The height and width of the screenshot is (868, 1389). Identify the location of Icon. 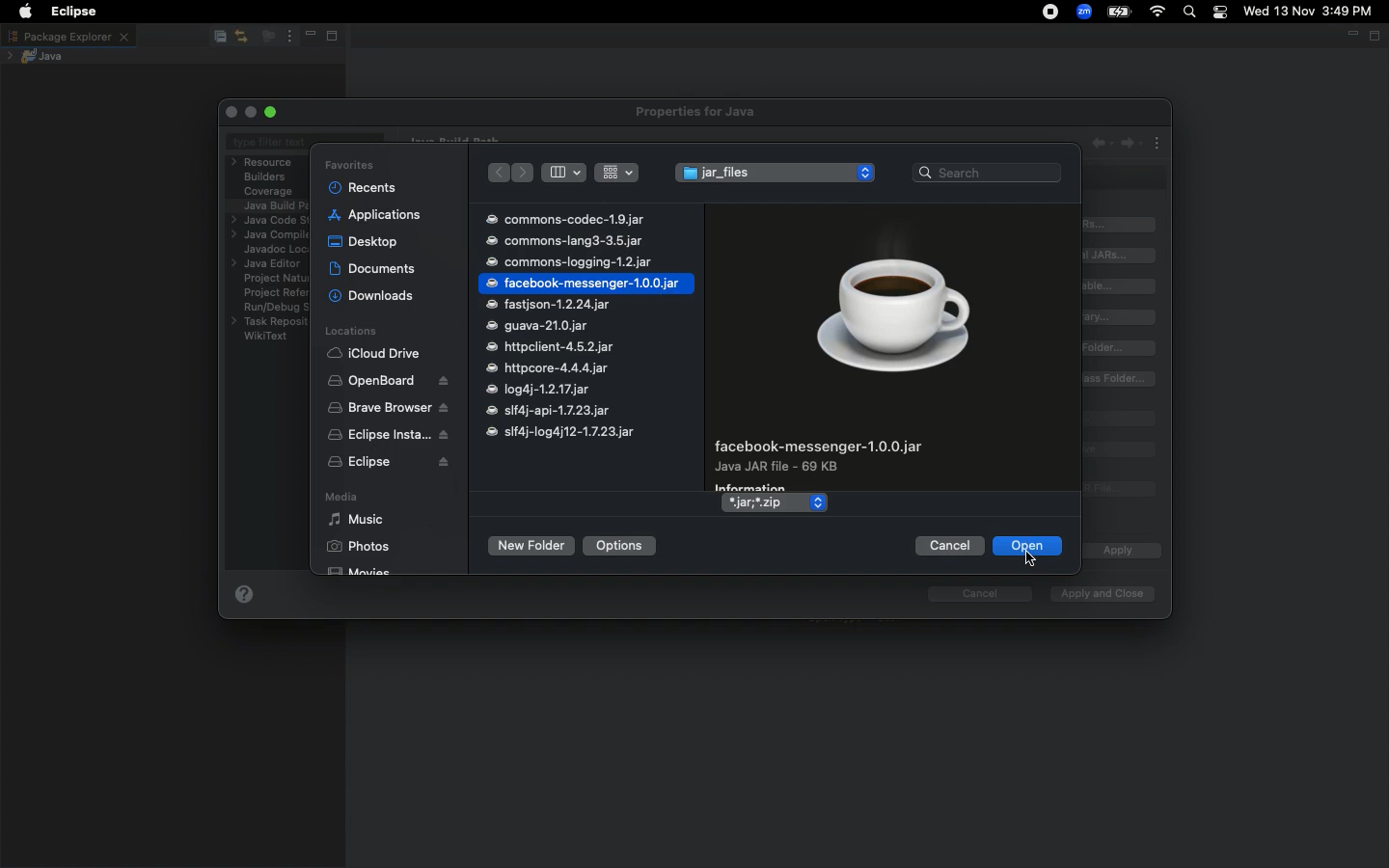
(893, 315).